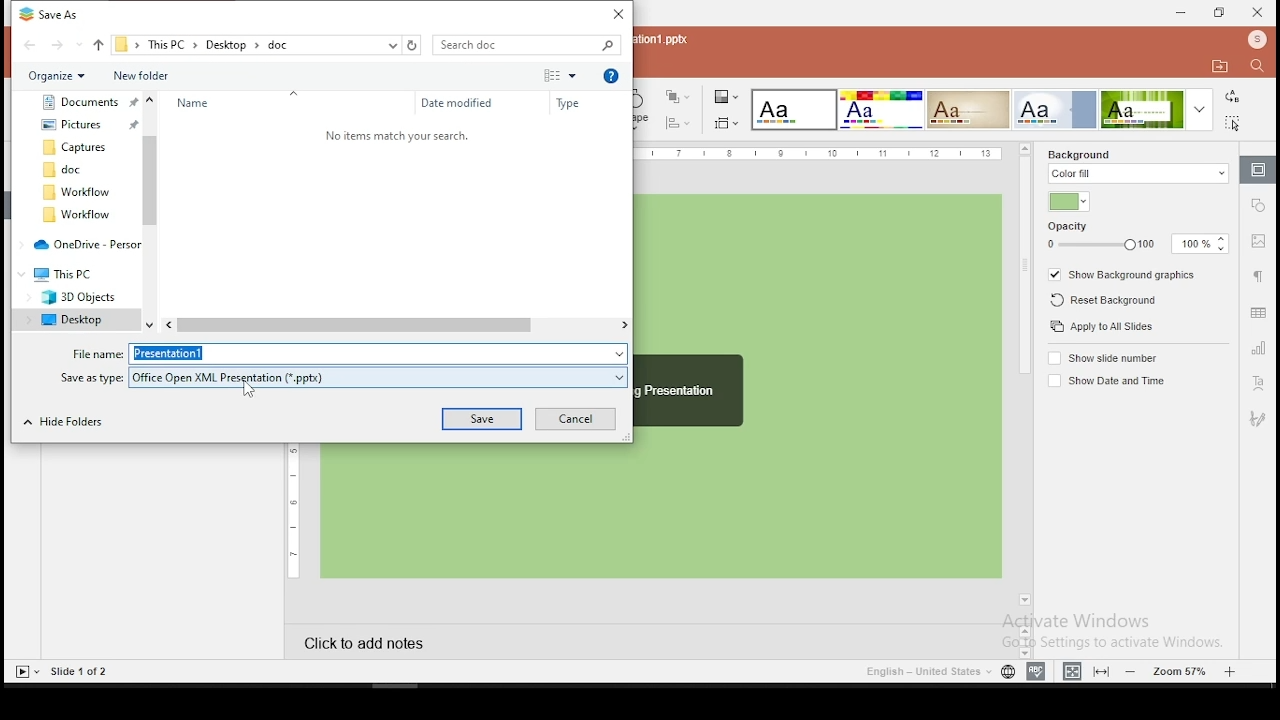 This screenshot has height=720, width=1280. I want to click on go back, so click(30, 44).